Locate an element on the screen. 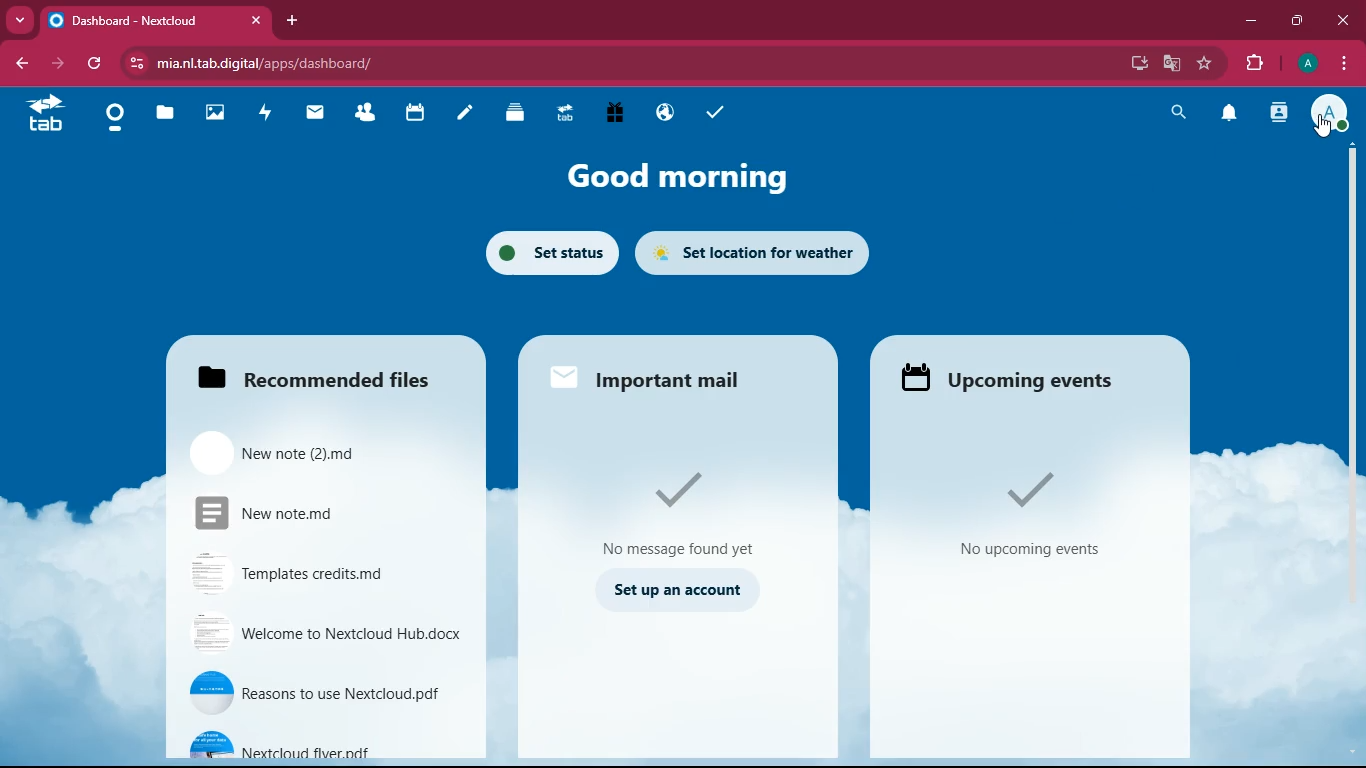 The image size is (1366, 768). good morning is located at coordinates (684, 179).